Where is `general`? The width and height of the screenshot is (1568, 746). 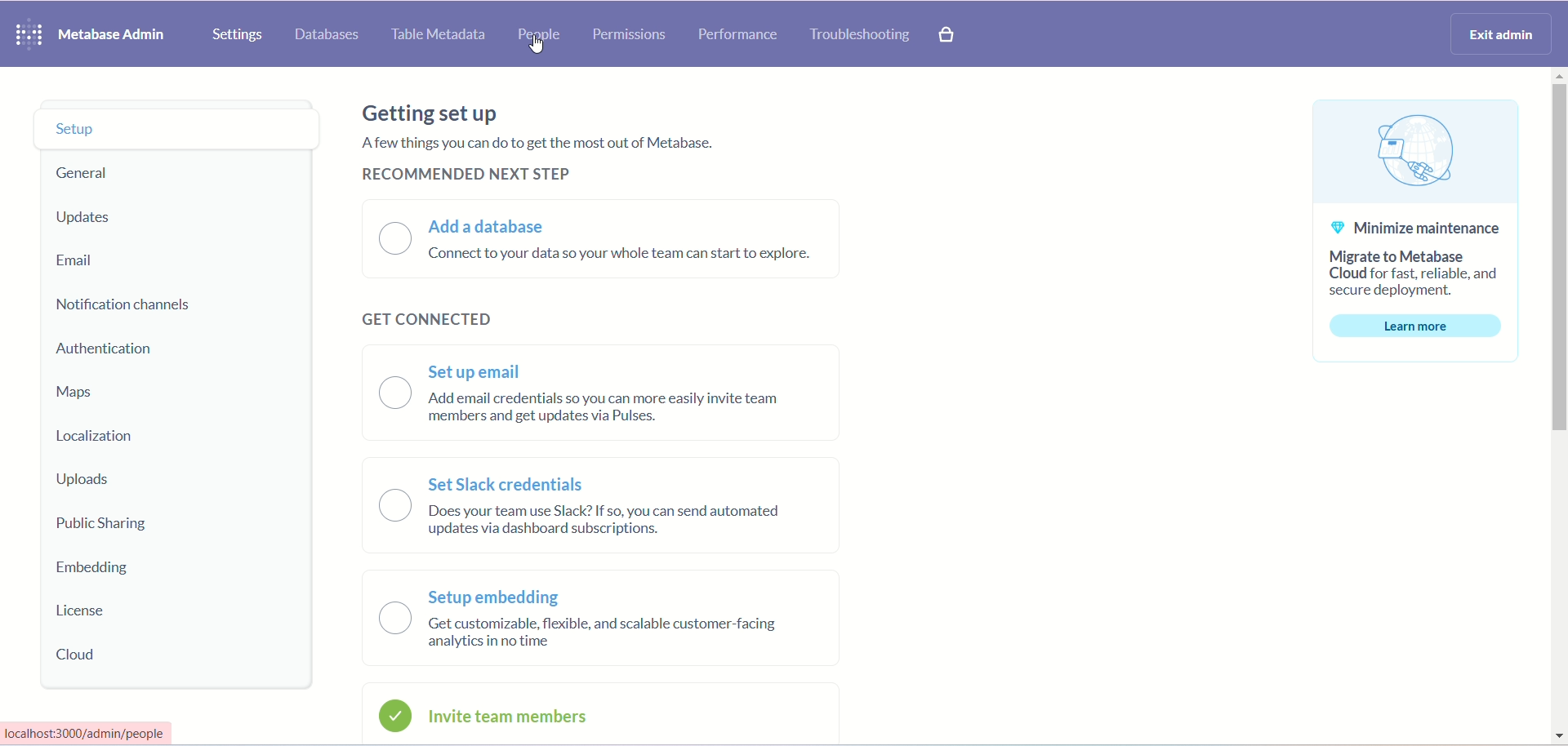 general is located at coordinates (87, 175).